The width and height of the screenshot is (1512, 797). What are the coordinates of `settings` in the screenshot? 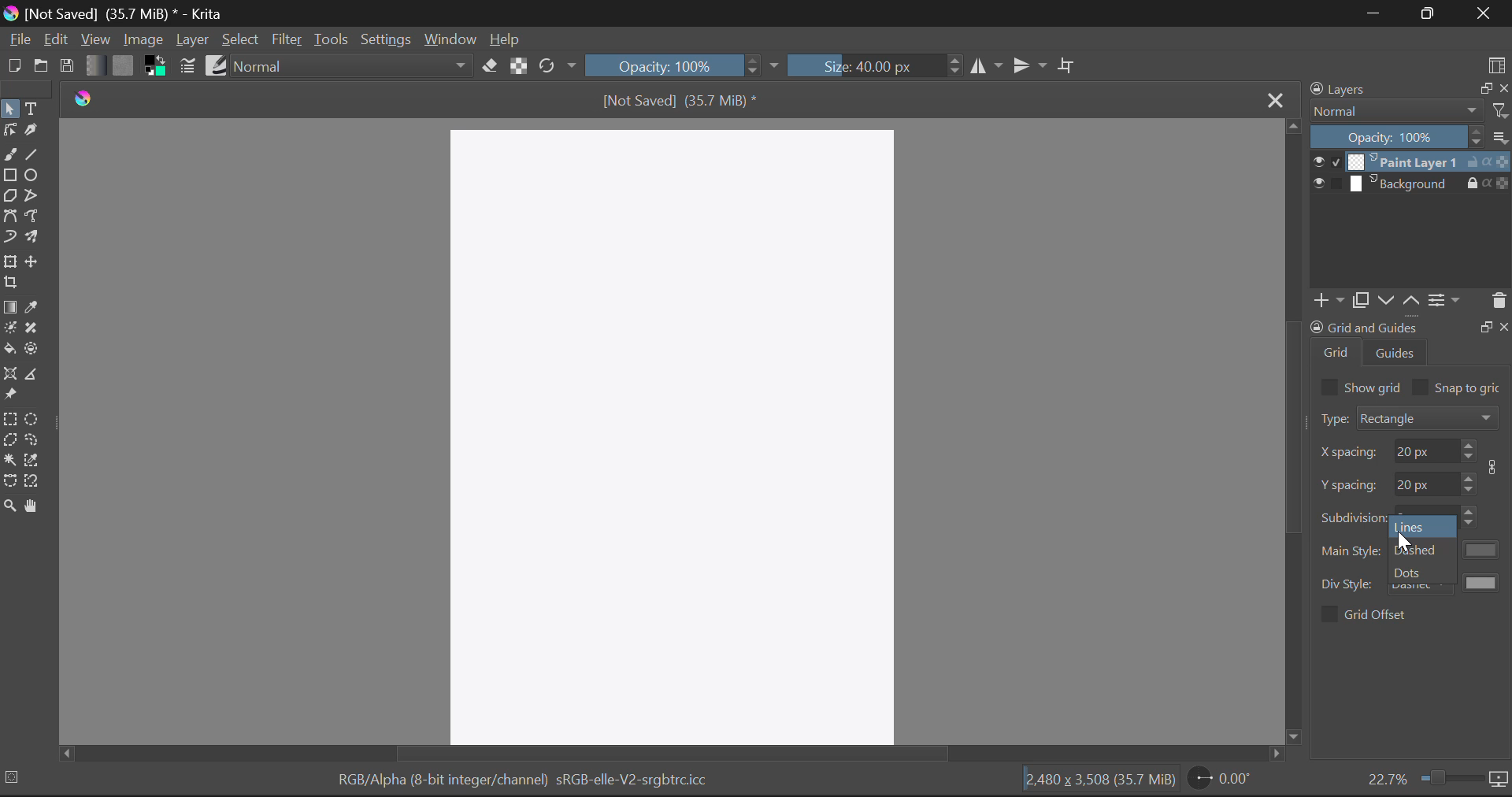 It's located at (1444, 299).